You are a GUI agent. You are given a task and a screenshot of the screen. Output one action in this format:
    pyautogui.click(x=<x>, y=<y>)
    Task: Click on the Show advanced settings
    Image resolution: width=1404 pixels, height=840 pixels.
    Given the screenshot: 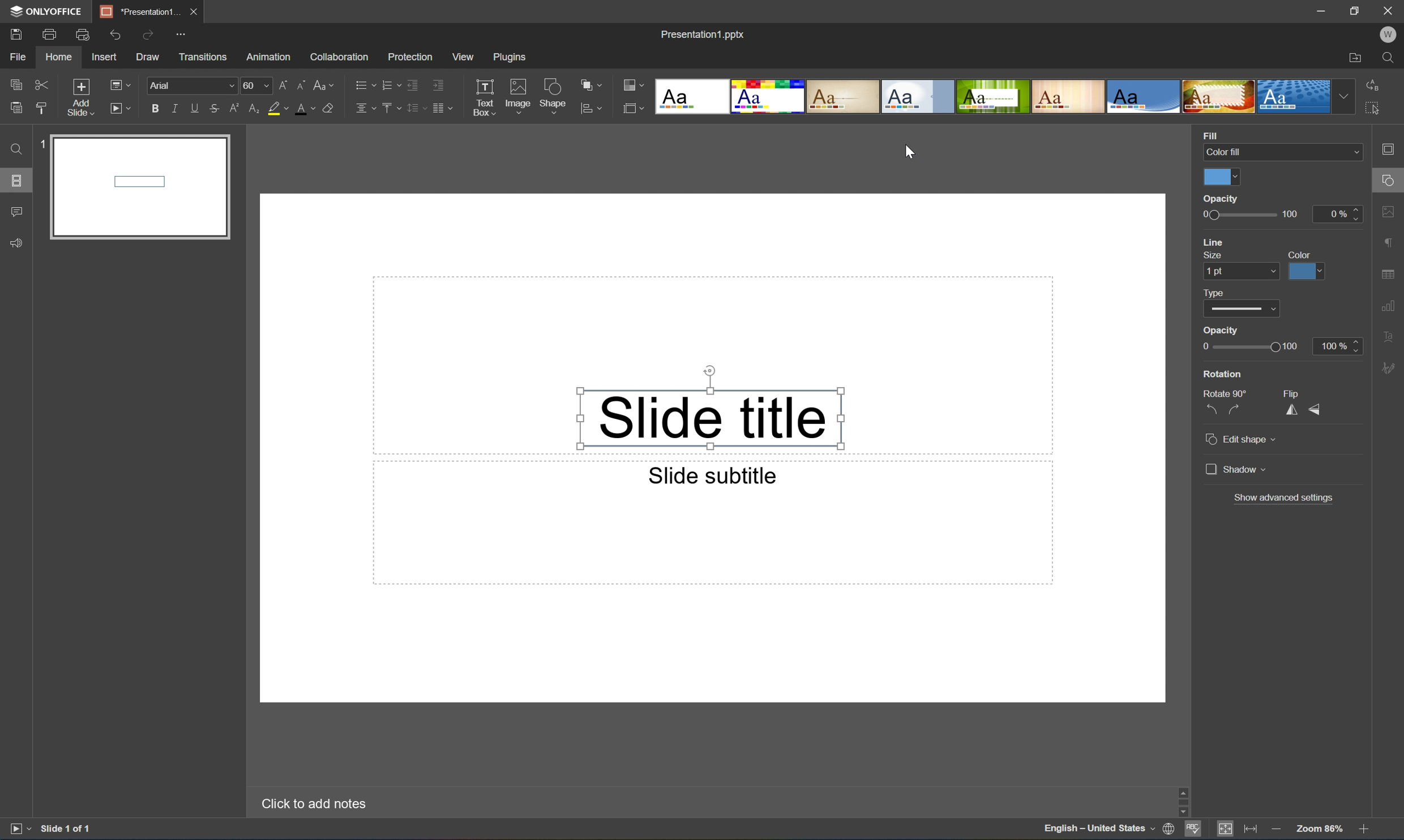 What is the action you would take?
    pyautogui.click(x=1286, y=498)
    